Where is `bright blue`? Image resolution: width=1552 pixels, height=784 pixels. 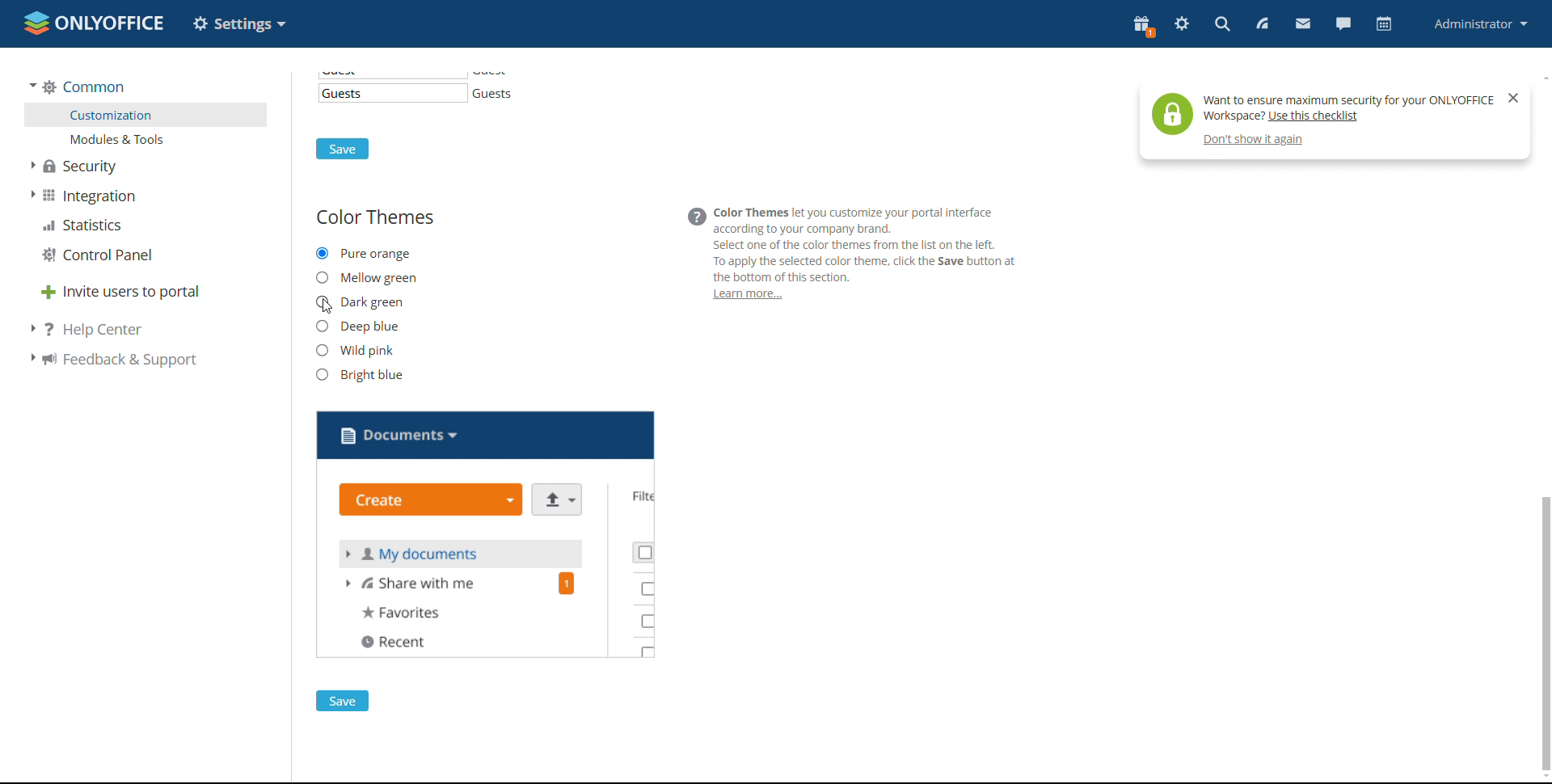 bright blue is located at coordinates (360, 375).